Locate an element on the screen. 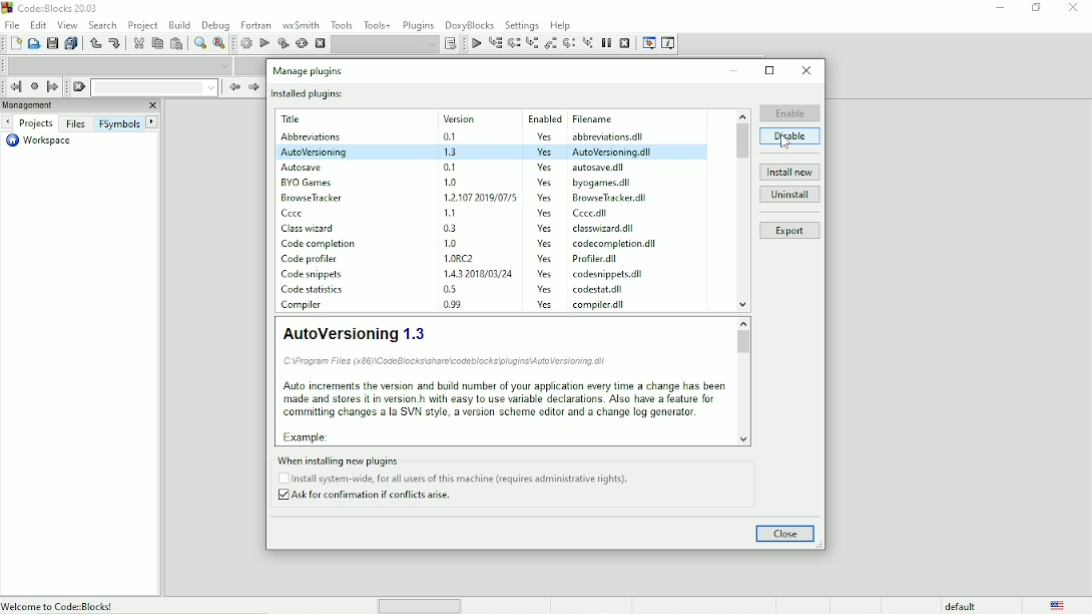  Code statistics is located at coordinates (313, 291).